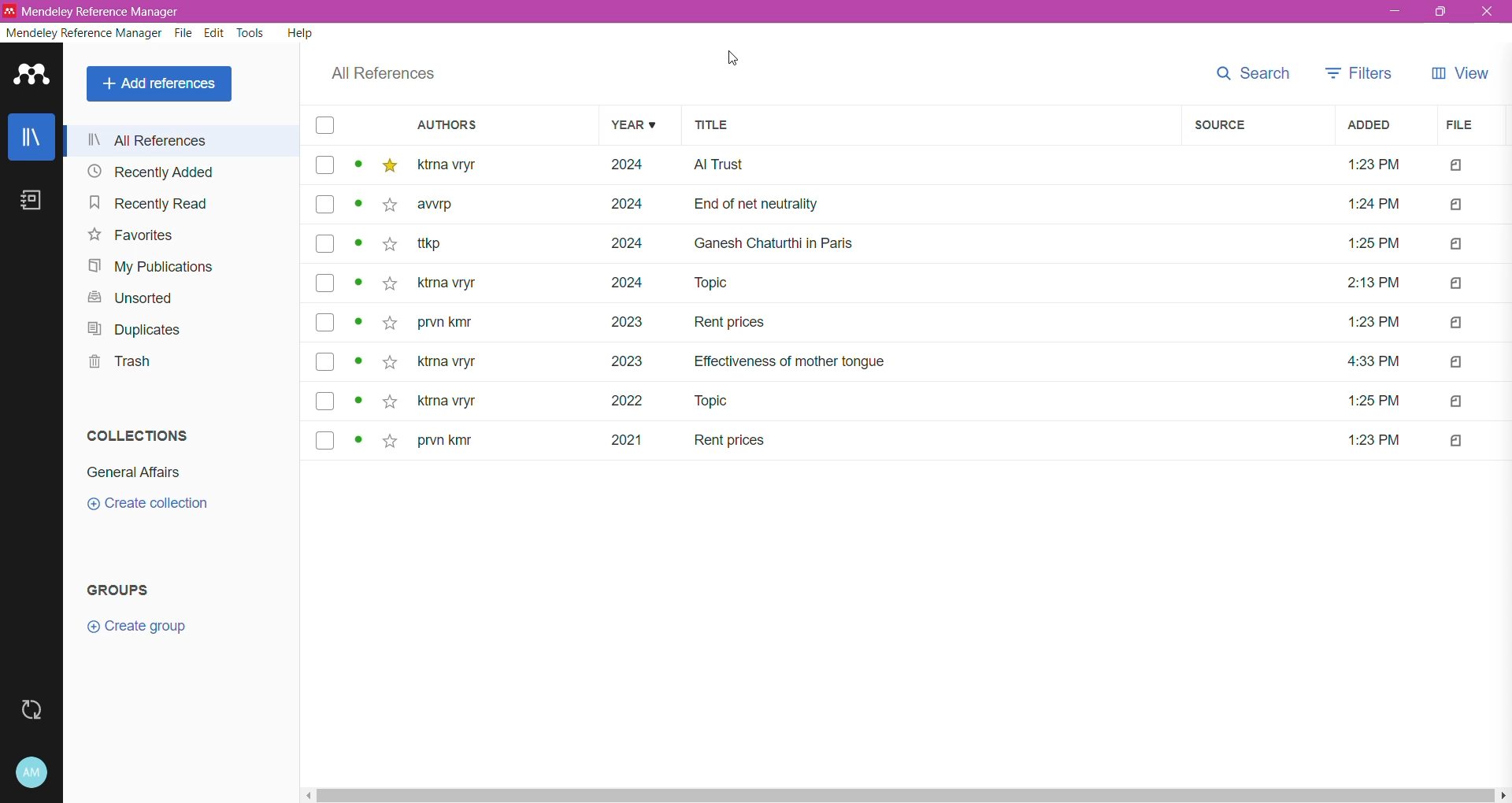 The width and height of the screenshot is (1512, 803). Describe the element at coordinates (1373, 203) in the screenshot. I see `1:24 PM` at that location.